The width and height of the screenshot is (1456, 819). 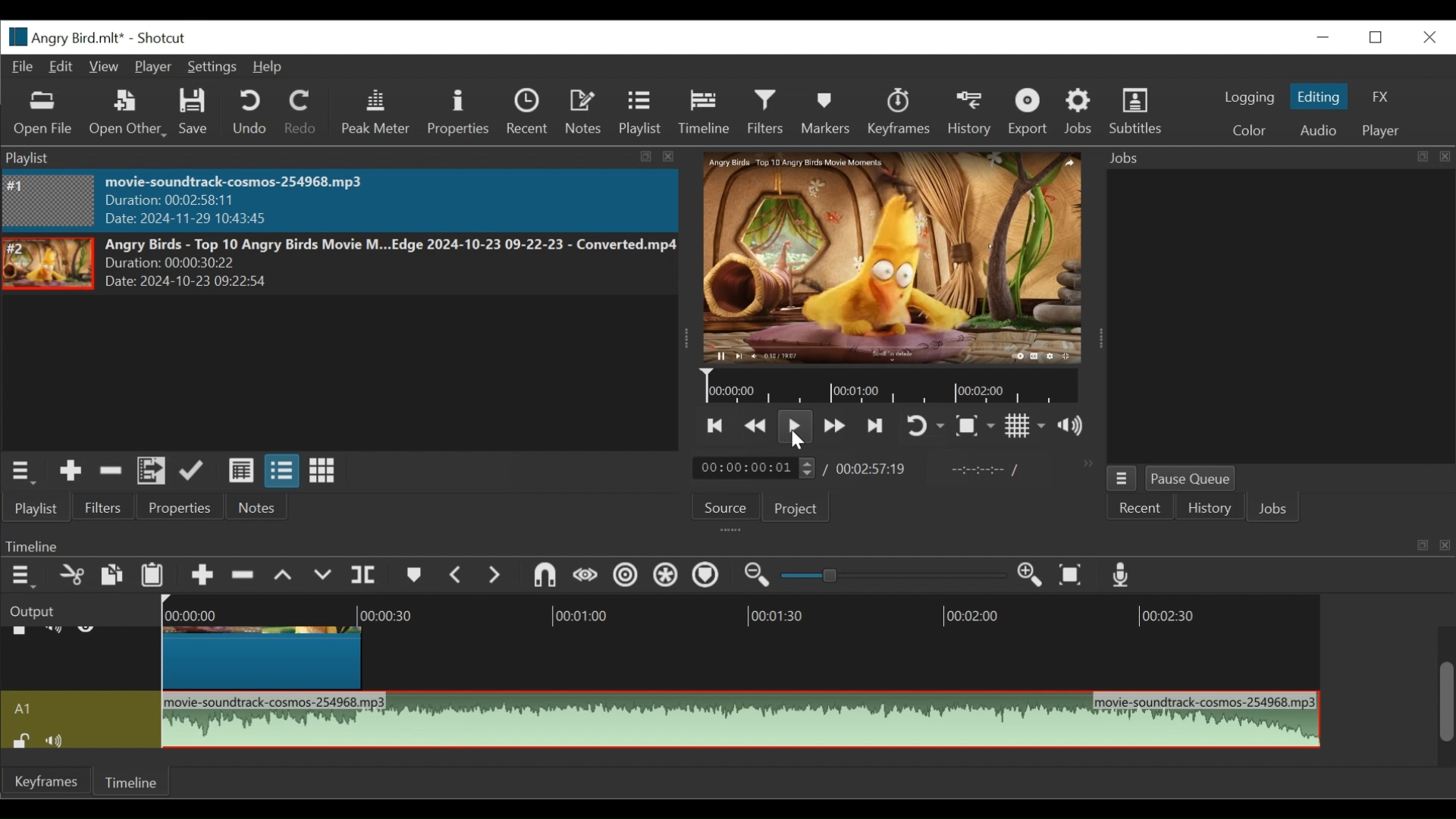 I want to click on Video track, so click(x=81, y=659).